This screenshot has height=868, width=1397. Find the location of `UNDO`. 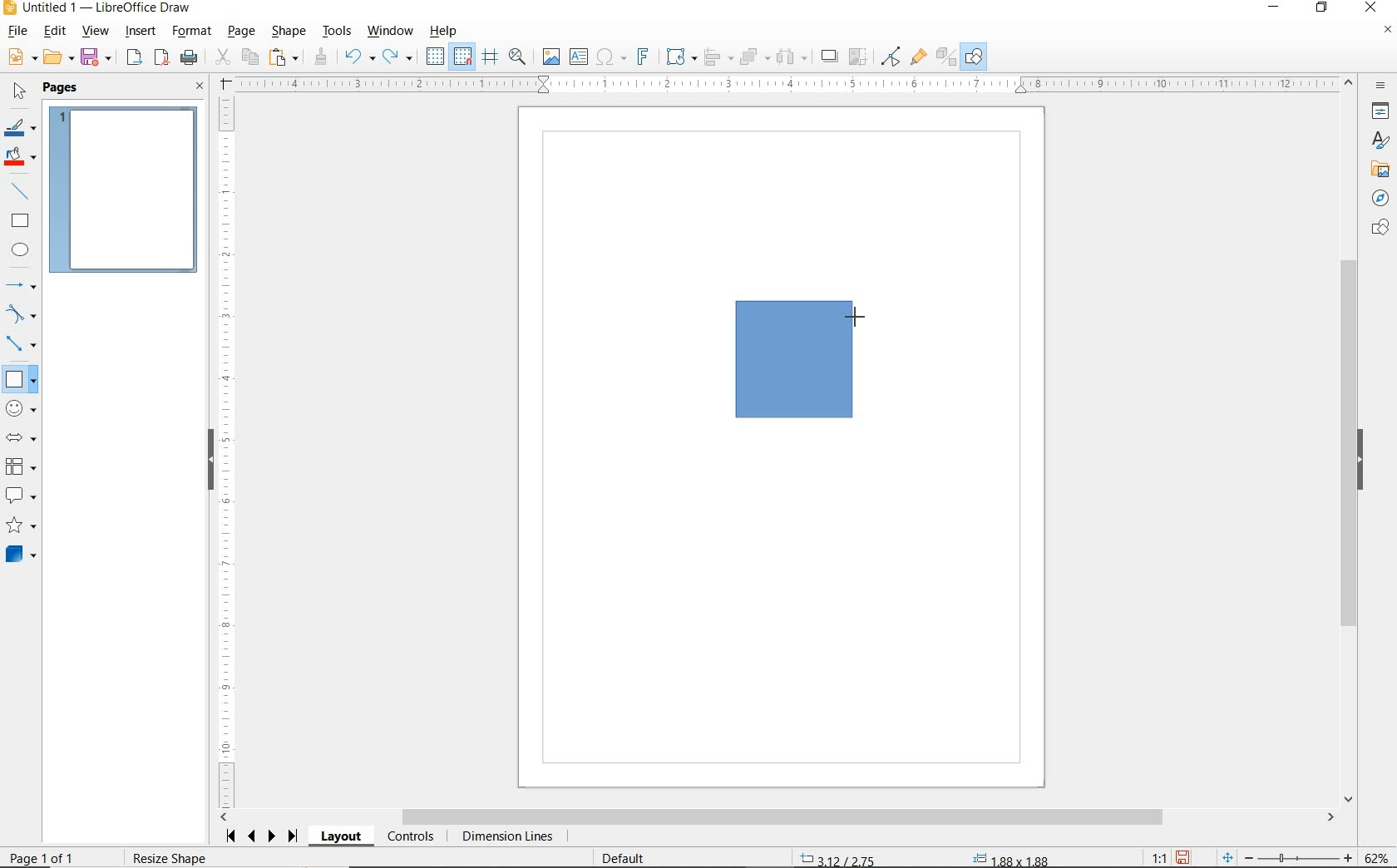

UNDO is located at coordinates (360, 58).